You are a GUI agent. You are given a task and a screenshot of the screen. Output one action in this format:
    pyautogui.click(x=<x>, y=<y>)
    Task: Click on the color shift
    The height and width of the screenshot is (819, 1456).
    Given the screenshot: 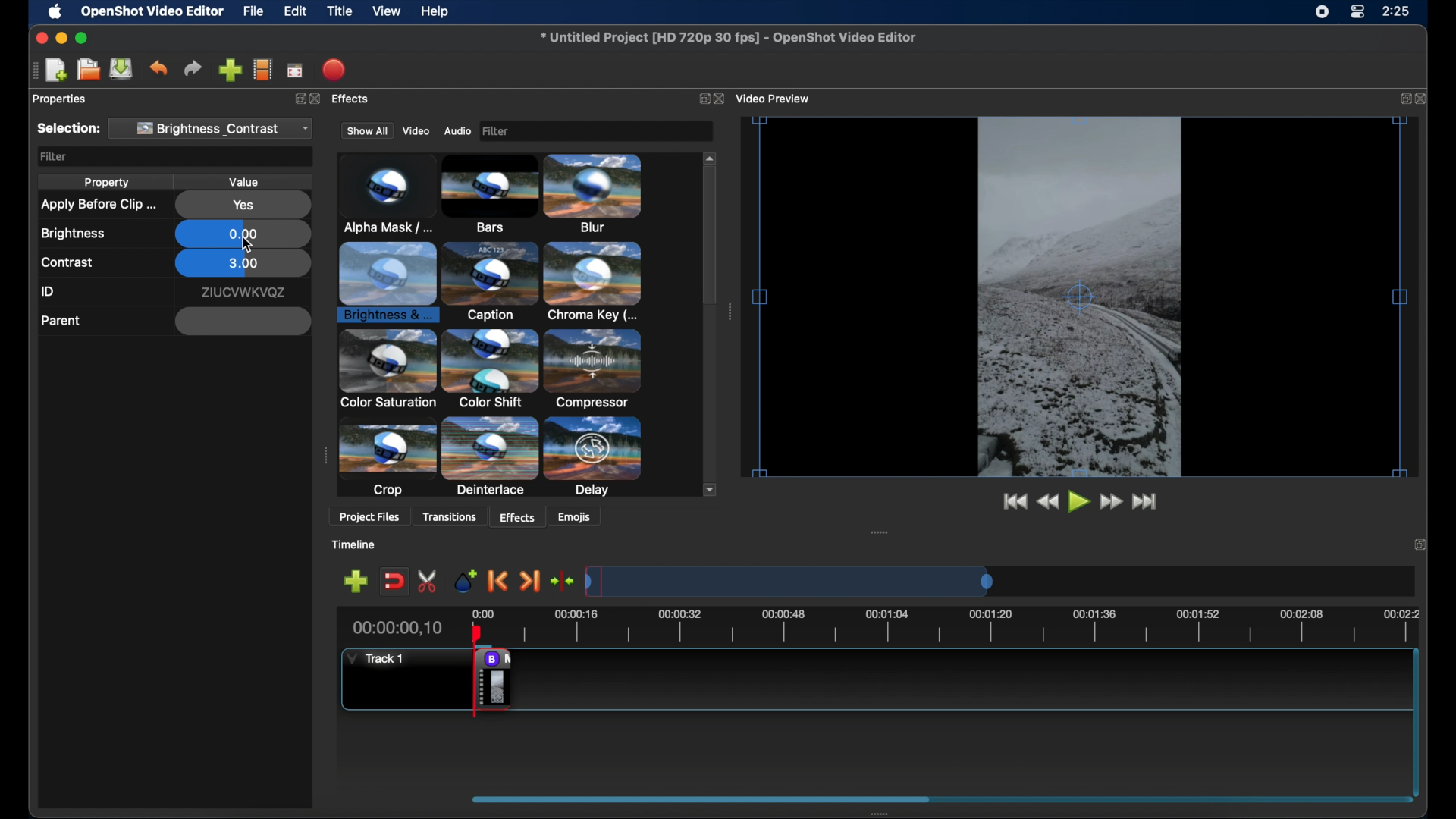 What is the action you would take?
    pyautogui.click(x=598, y=283)
    